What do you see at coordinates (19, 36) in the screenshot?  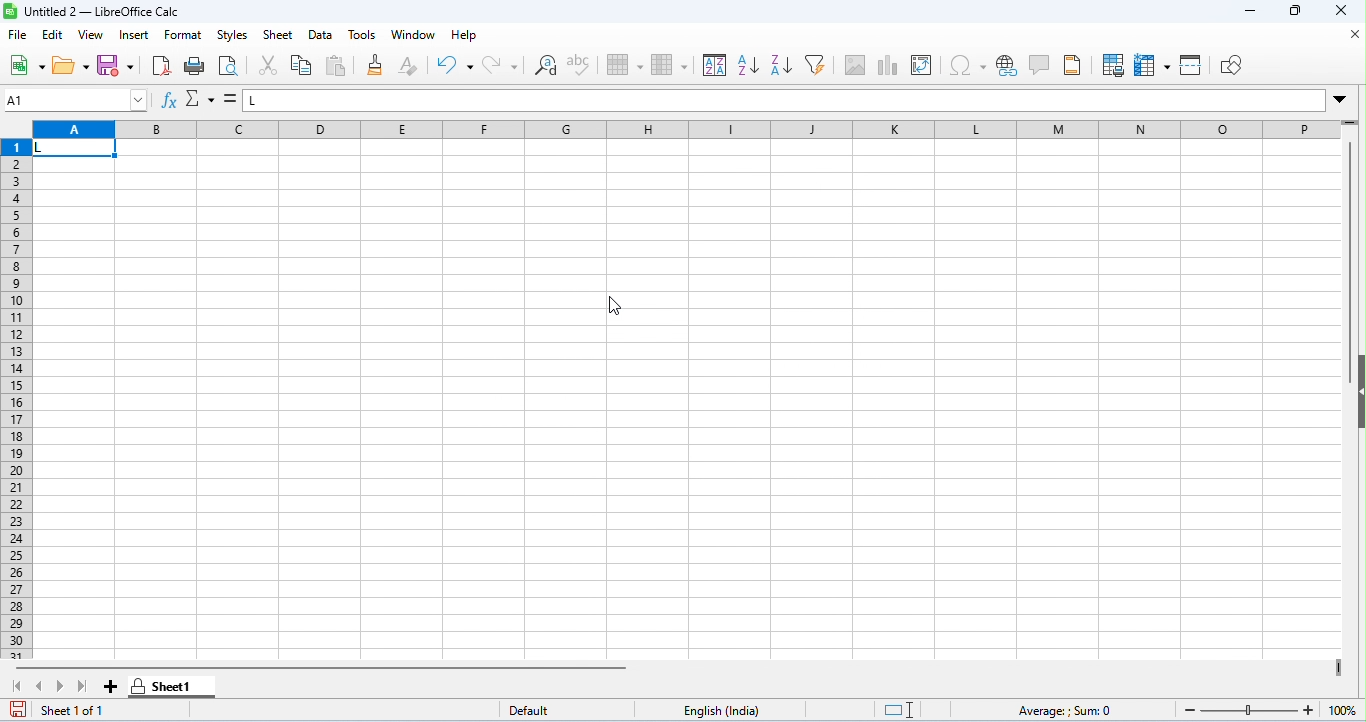 I see `file` at bounding box center [19, 36].